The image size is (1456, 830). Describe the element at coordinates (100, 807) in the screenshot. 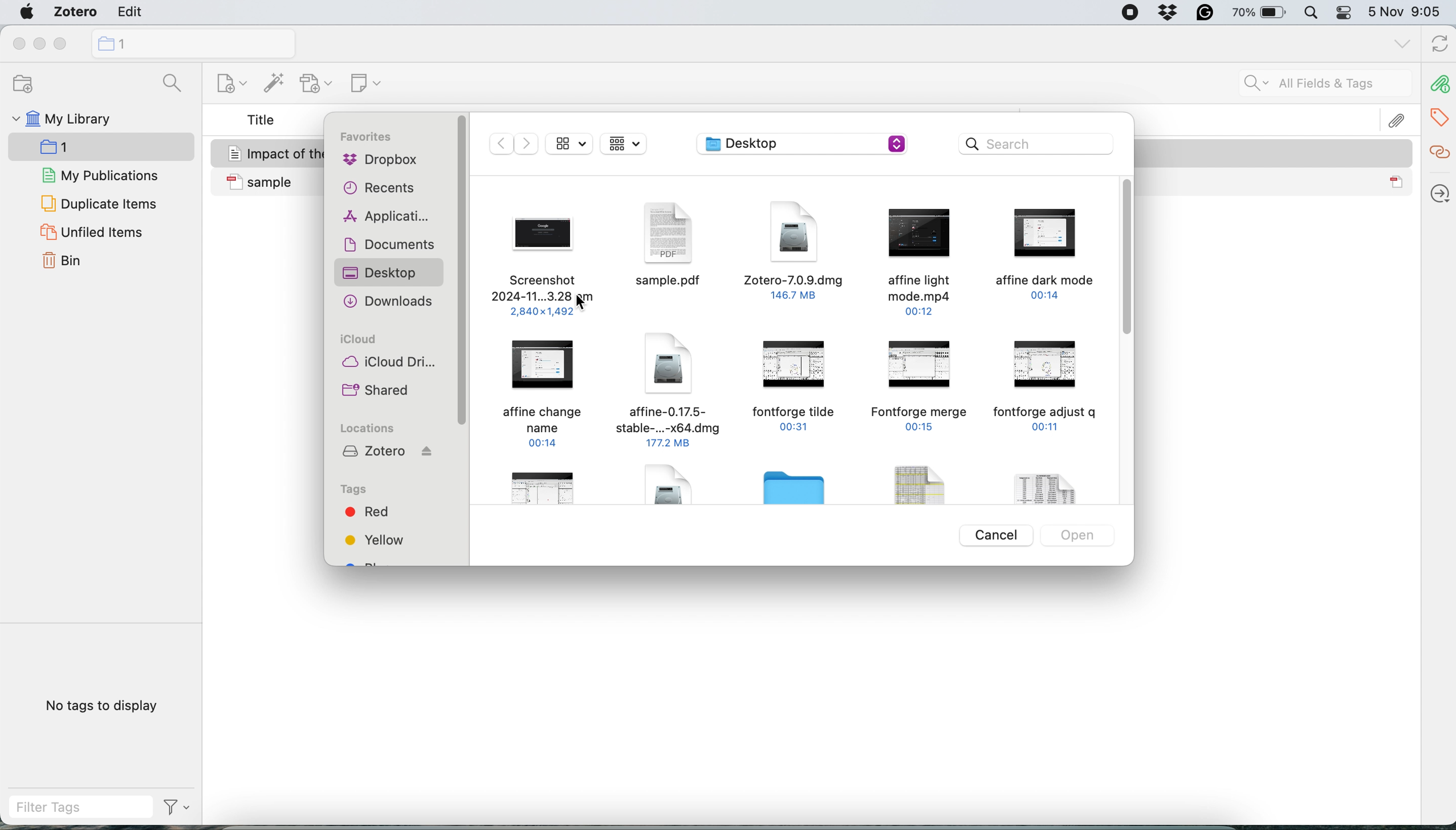

I see `filter tags` at that location.